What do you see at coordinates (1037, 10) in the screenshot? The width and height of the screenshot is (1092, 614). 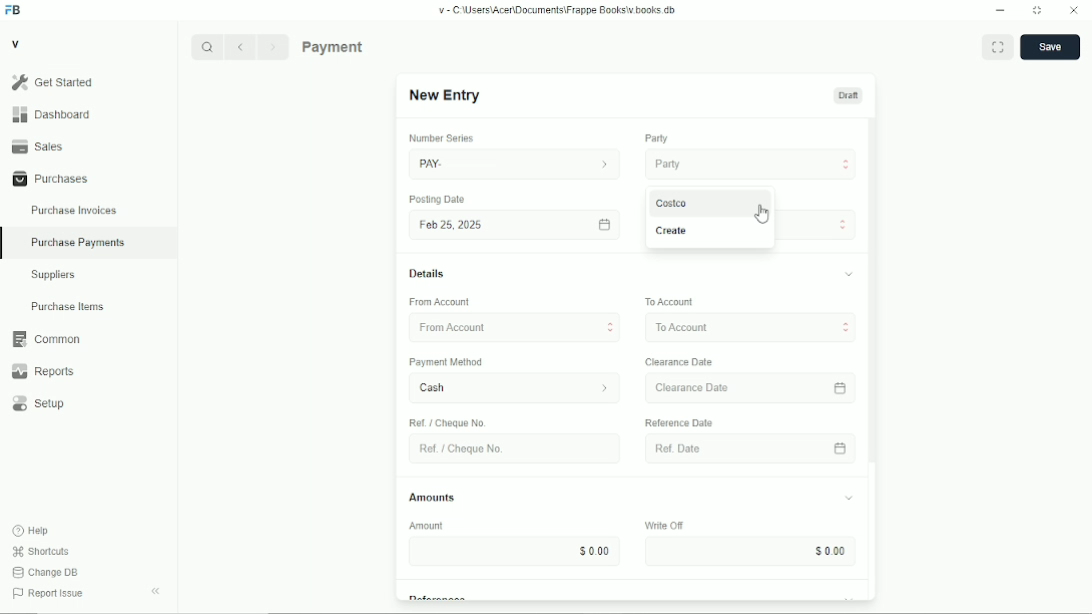 I see `Change dimension` at bounding box center [1037, 10].